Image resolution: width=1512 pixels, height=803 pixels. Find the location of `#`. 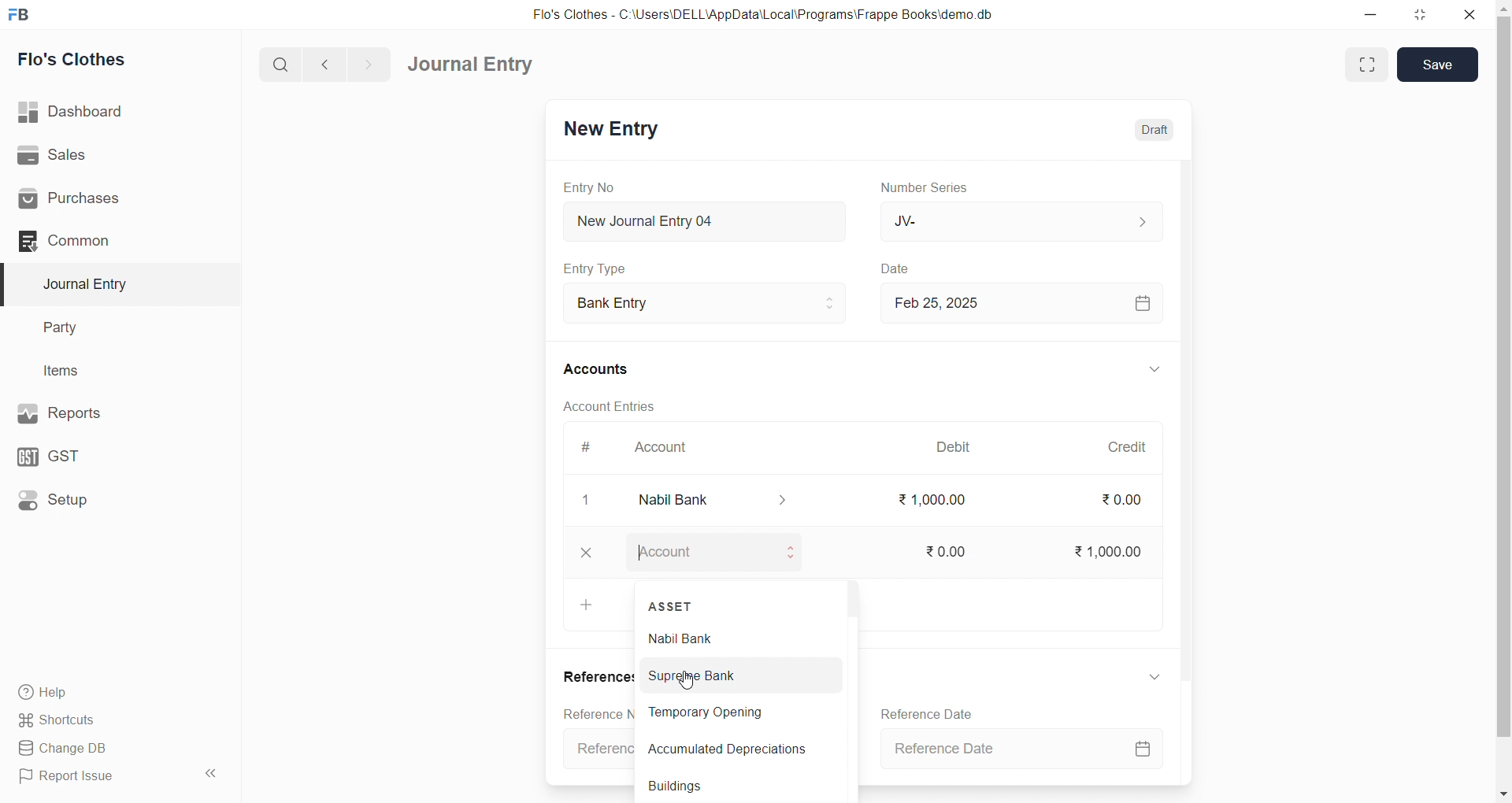

# is located at coordinates (595, 449).